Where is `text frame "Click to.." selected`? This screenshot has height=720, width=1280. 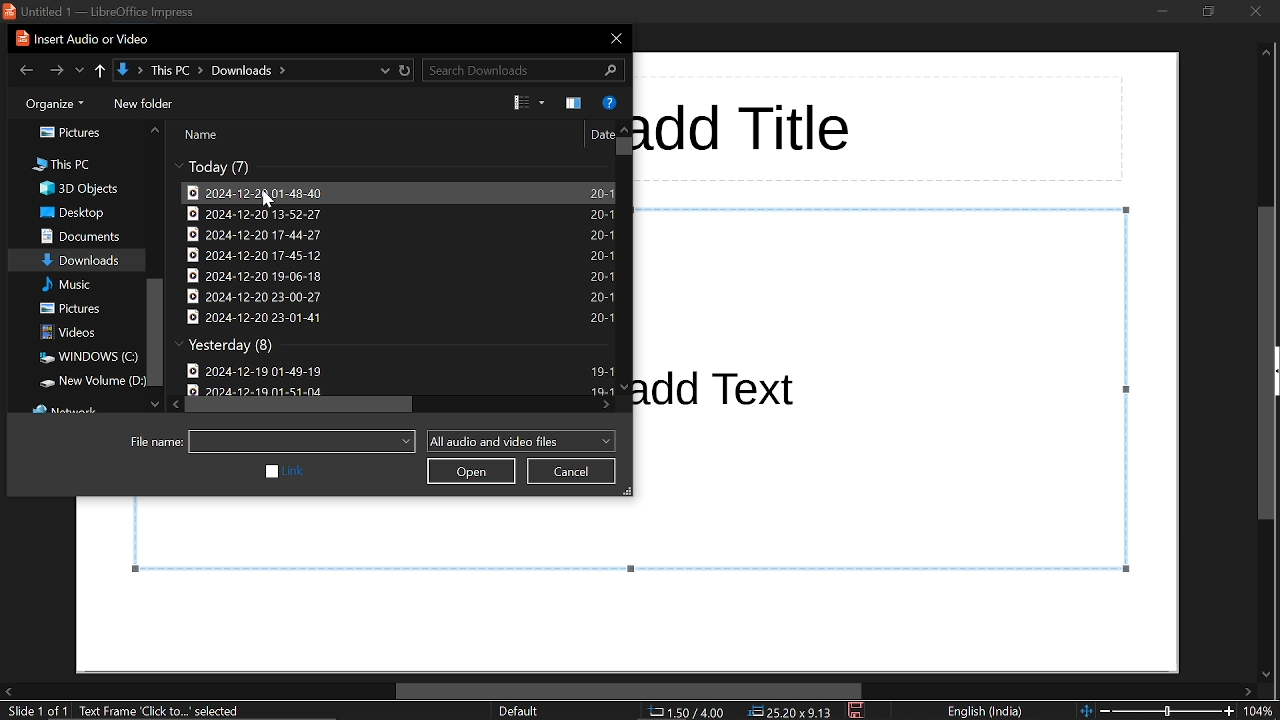
text frame "Click to.." selected is located at coordinates (162, 712).